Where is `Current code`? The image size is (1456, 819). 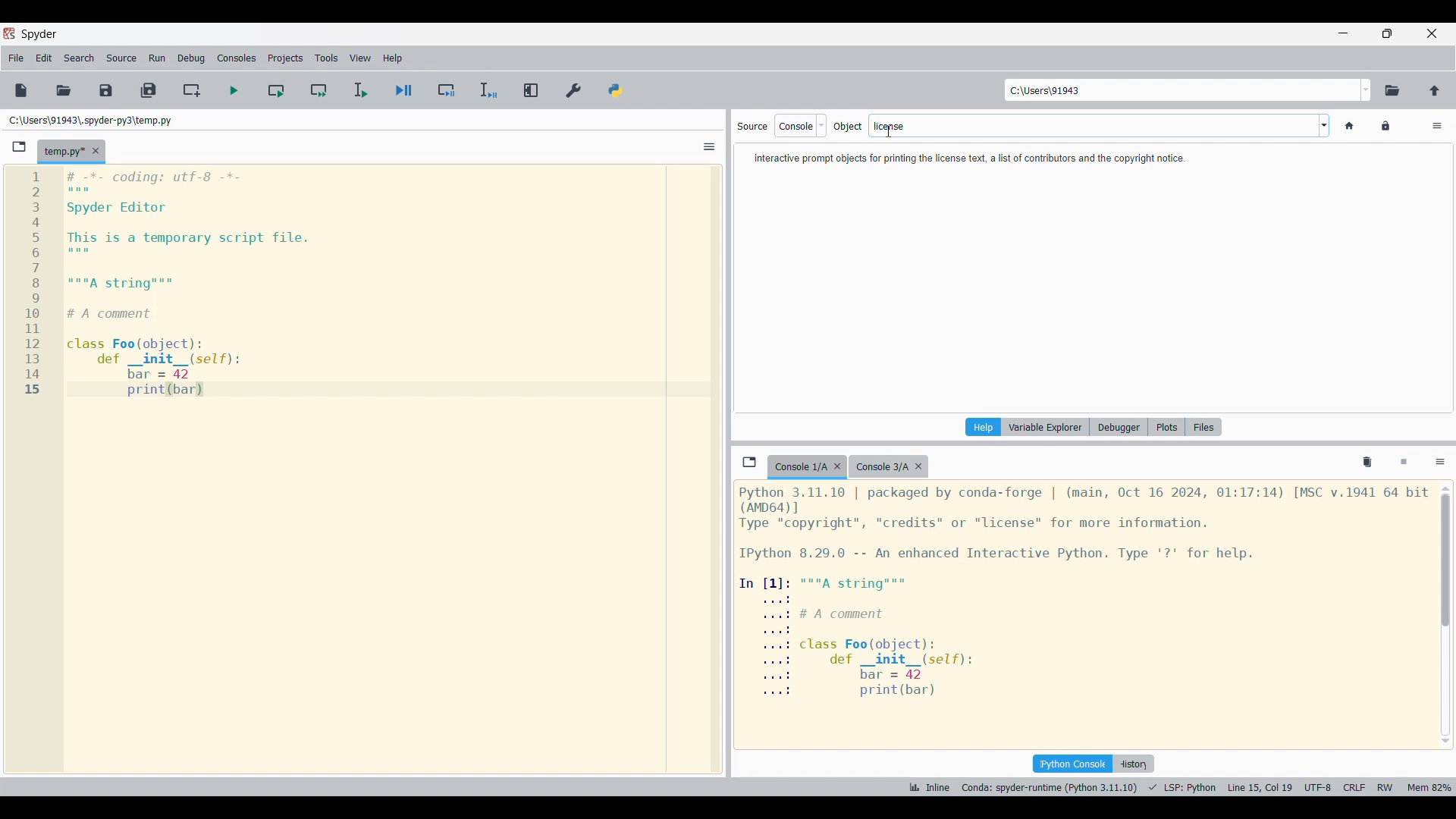 Current code is located at coordinates (192, 284).